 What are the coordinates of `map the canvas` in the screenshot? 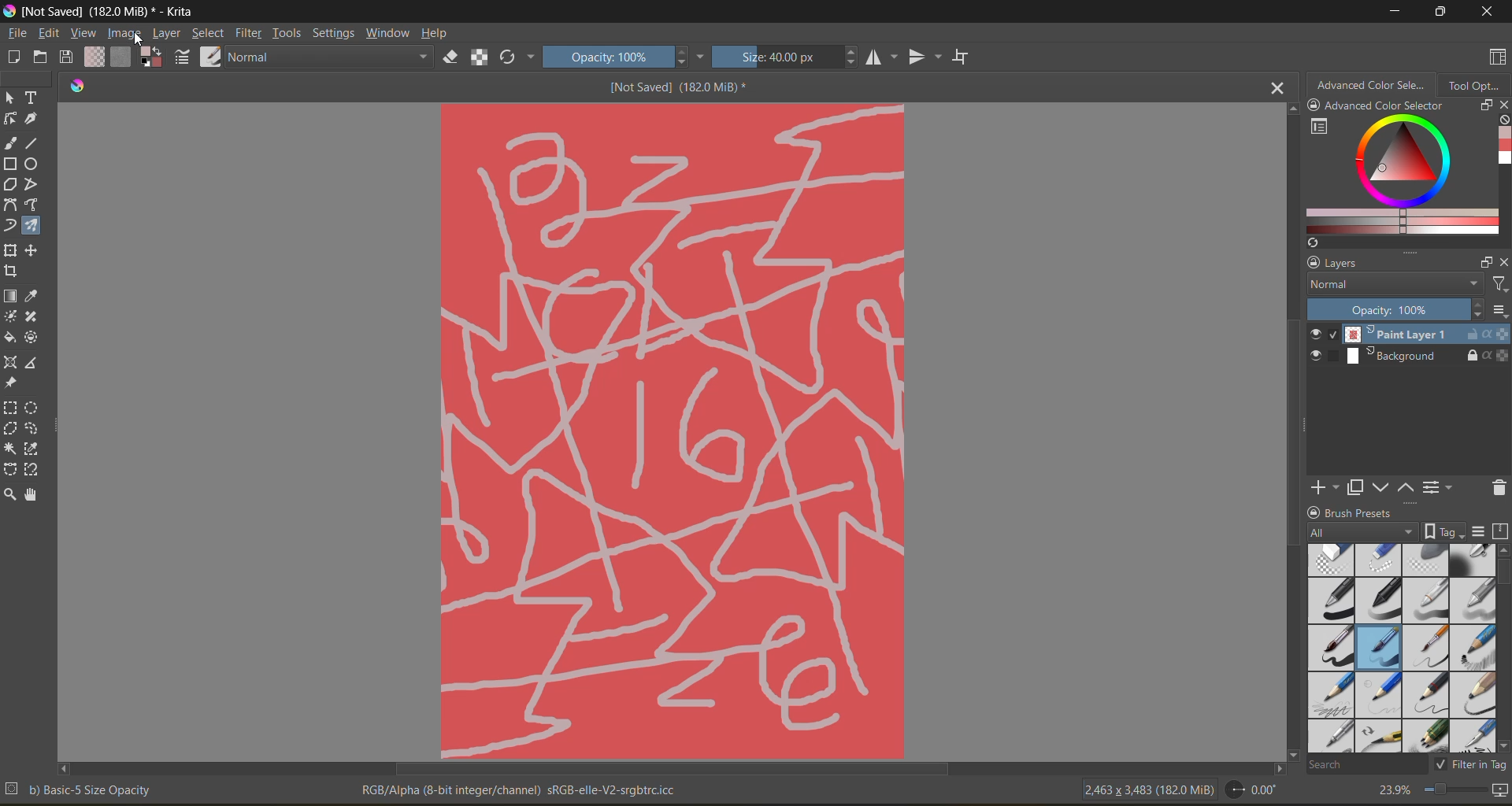 It's located at (1499, 790).